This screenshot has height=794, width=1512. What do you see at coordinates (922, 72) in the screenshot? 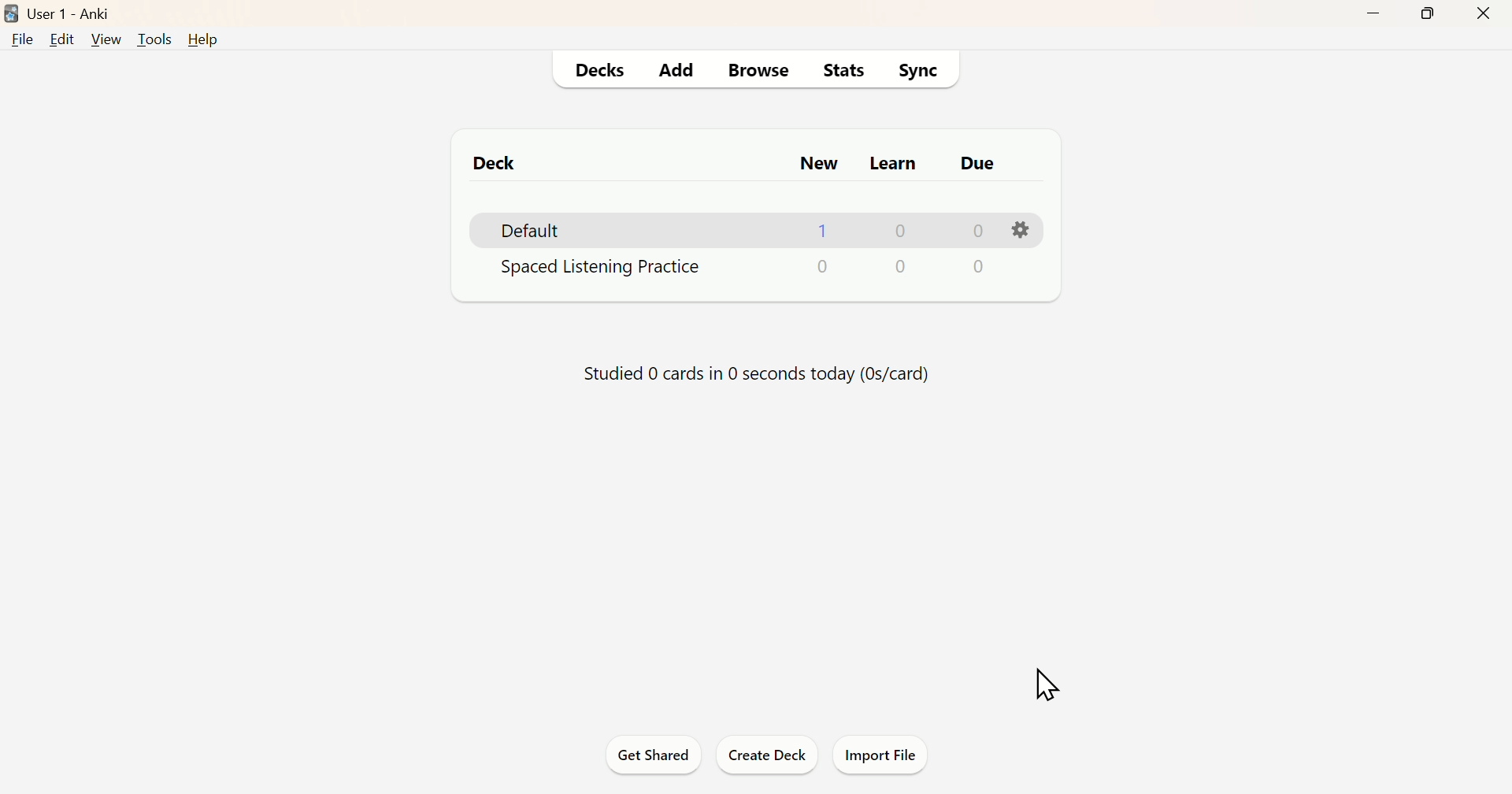
I see `Sync` at bounding box center [922, 72].